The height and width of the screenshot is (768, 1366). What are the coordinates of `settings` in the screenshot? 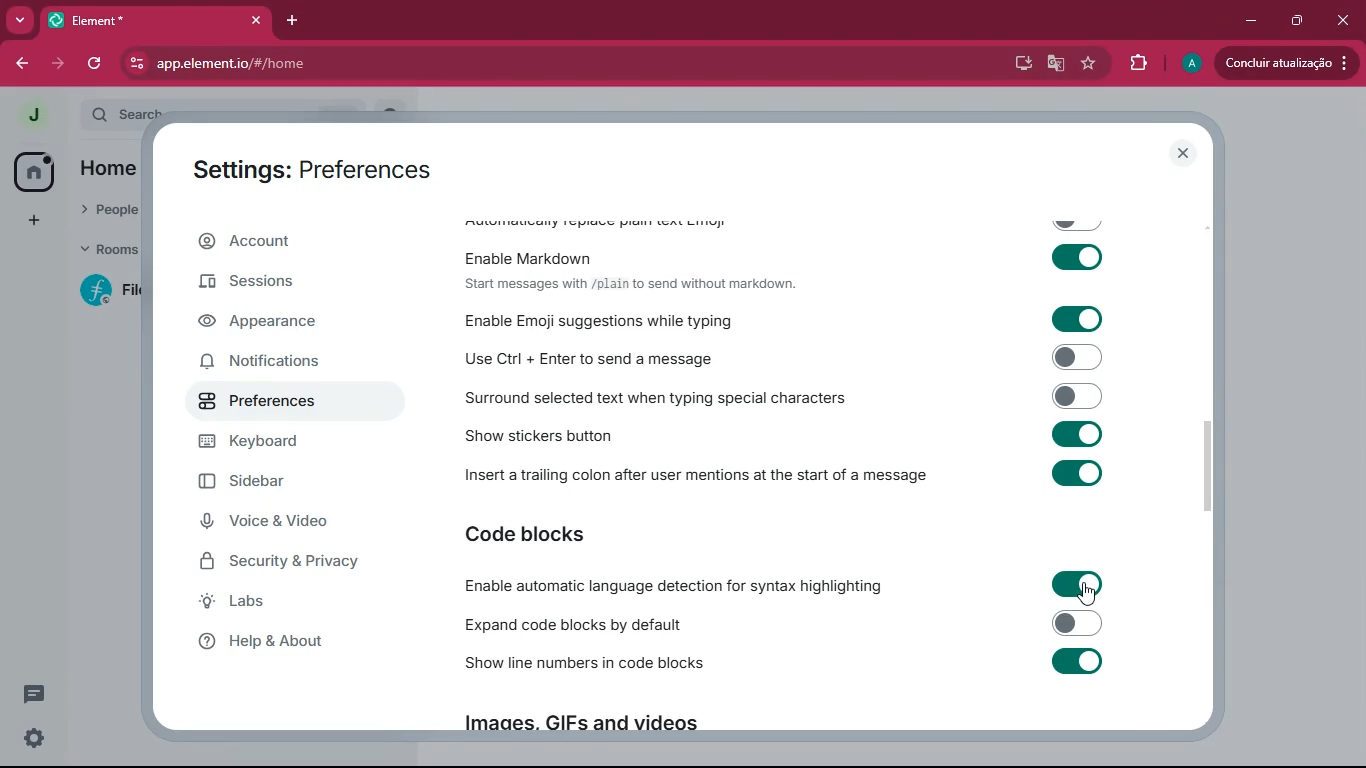 It's located at (29, 740).